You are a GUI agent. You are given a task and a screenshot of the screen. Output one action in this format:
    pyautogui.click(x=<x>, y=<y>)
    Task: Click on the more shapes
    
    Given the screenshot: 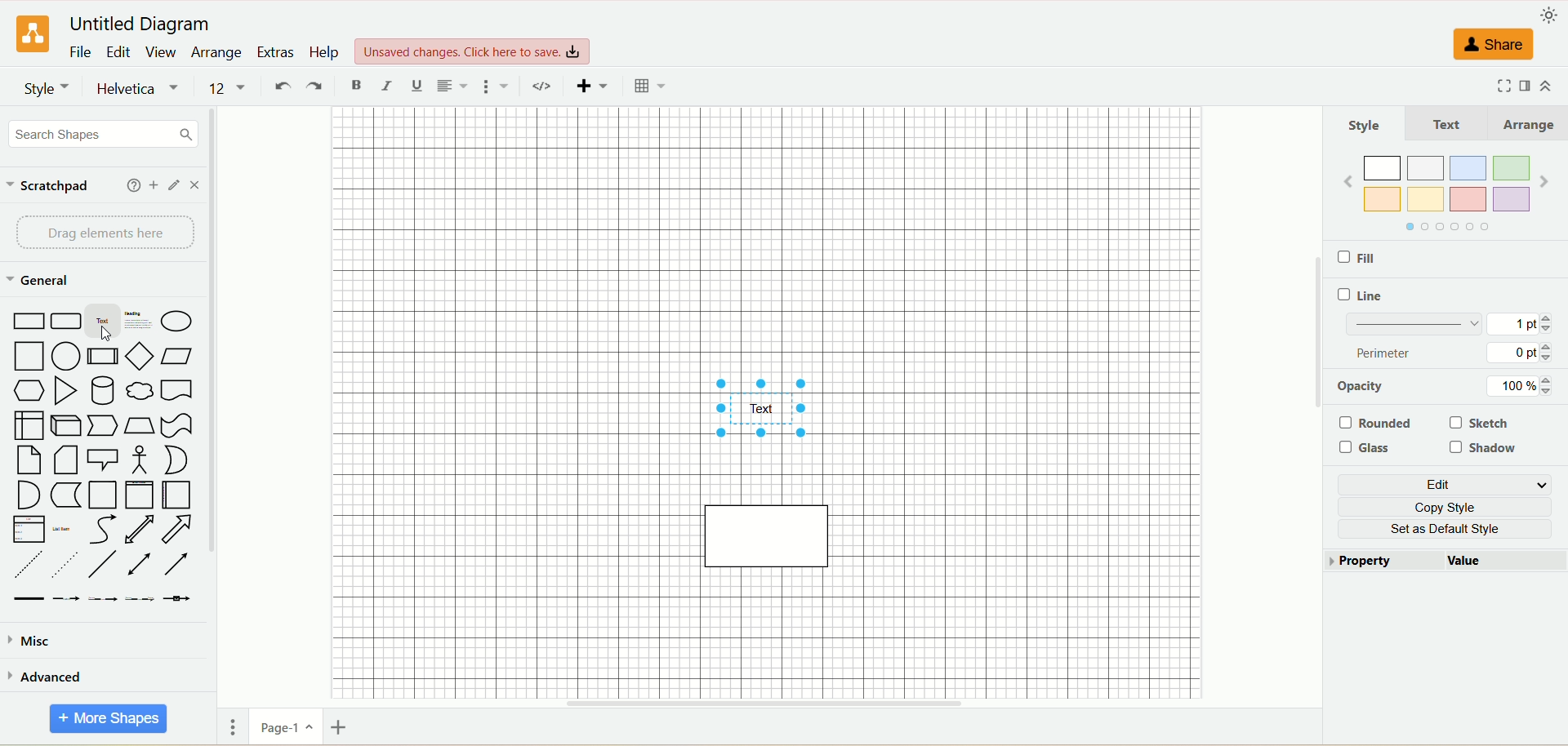 What is the action you would take?
    pyautogui.click(x=109, y=719)
    